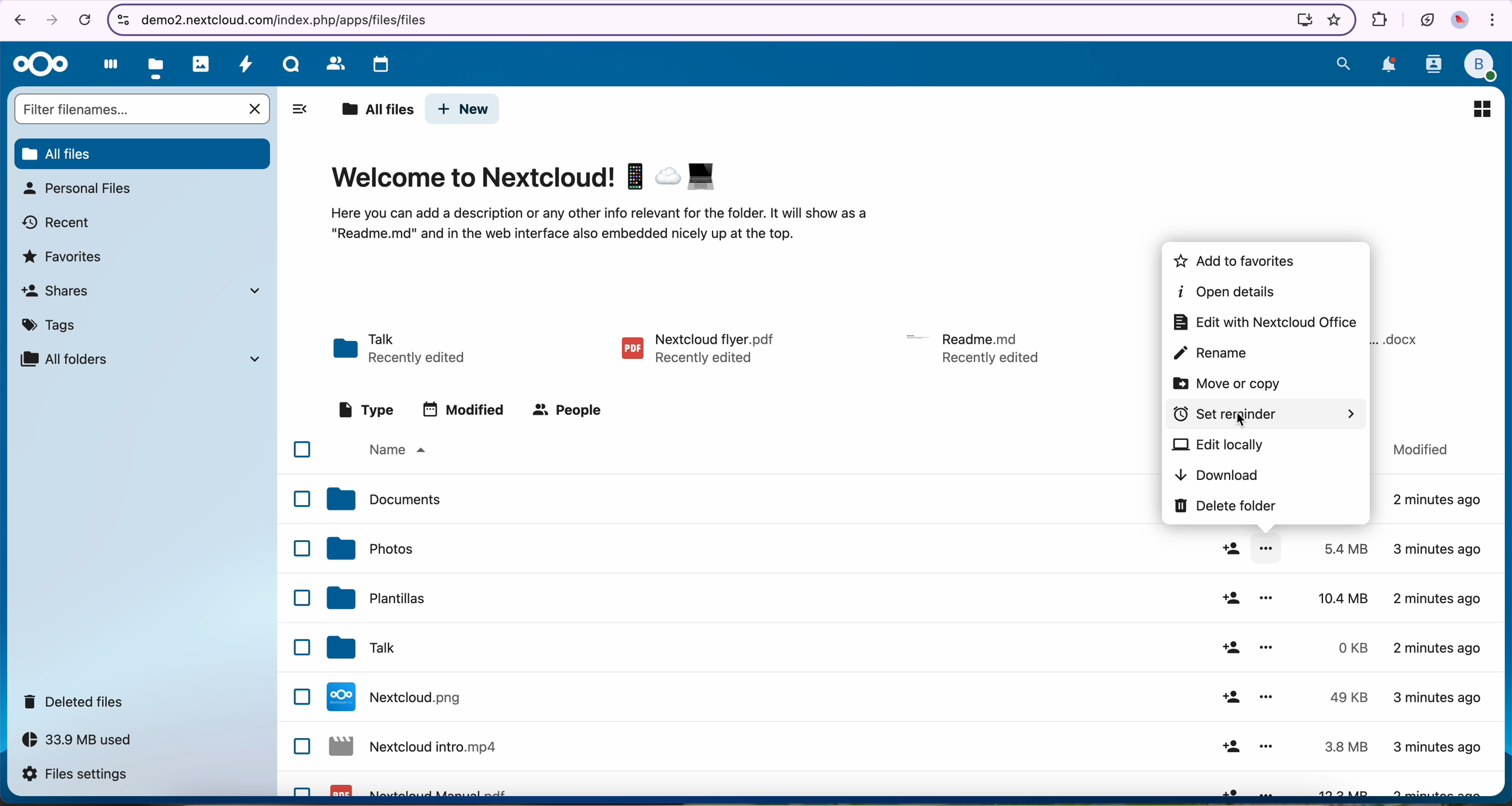 This screenshot has width=1512, height=806. Describe the element at coordinates (1440, 502) in the screenshot. I see `2 minutes ago` at that location.